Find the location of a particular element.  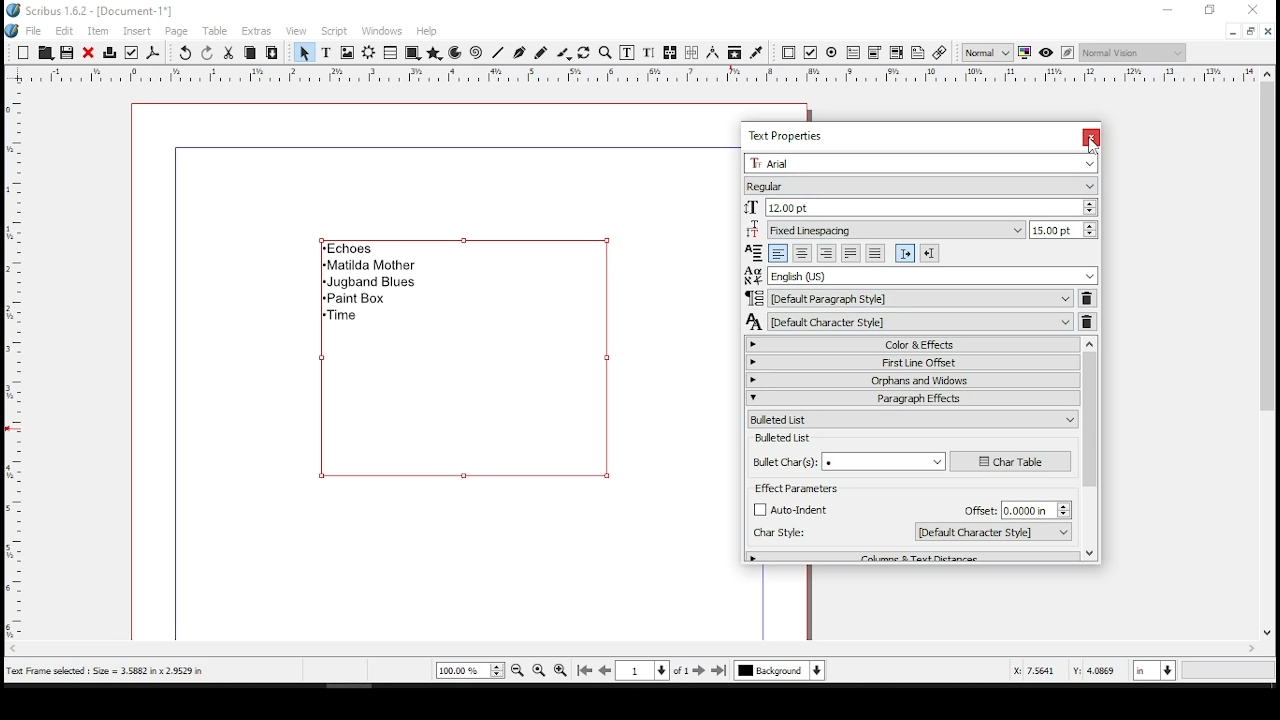

restore is located at coordinates (1211, 10).